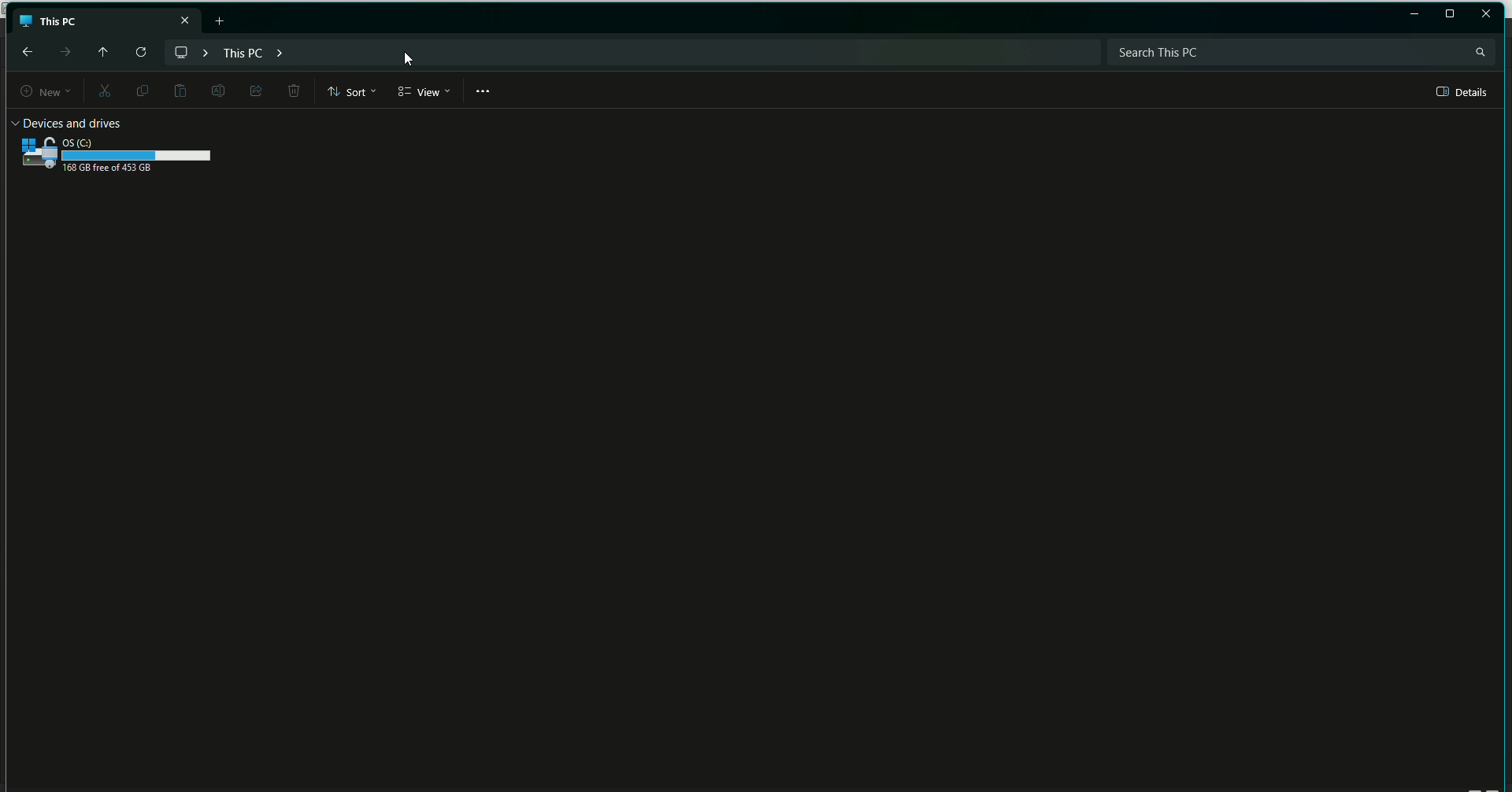  Describe the element at coordinates (222, 20) in the screenshot. I see `New tab` at that location.